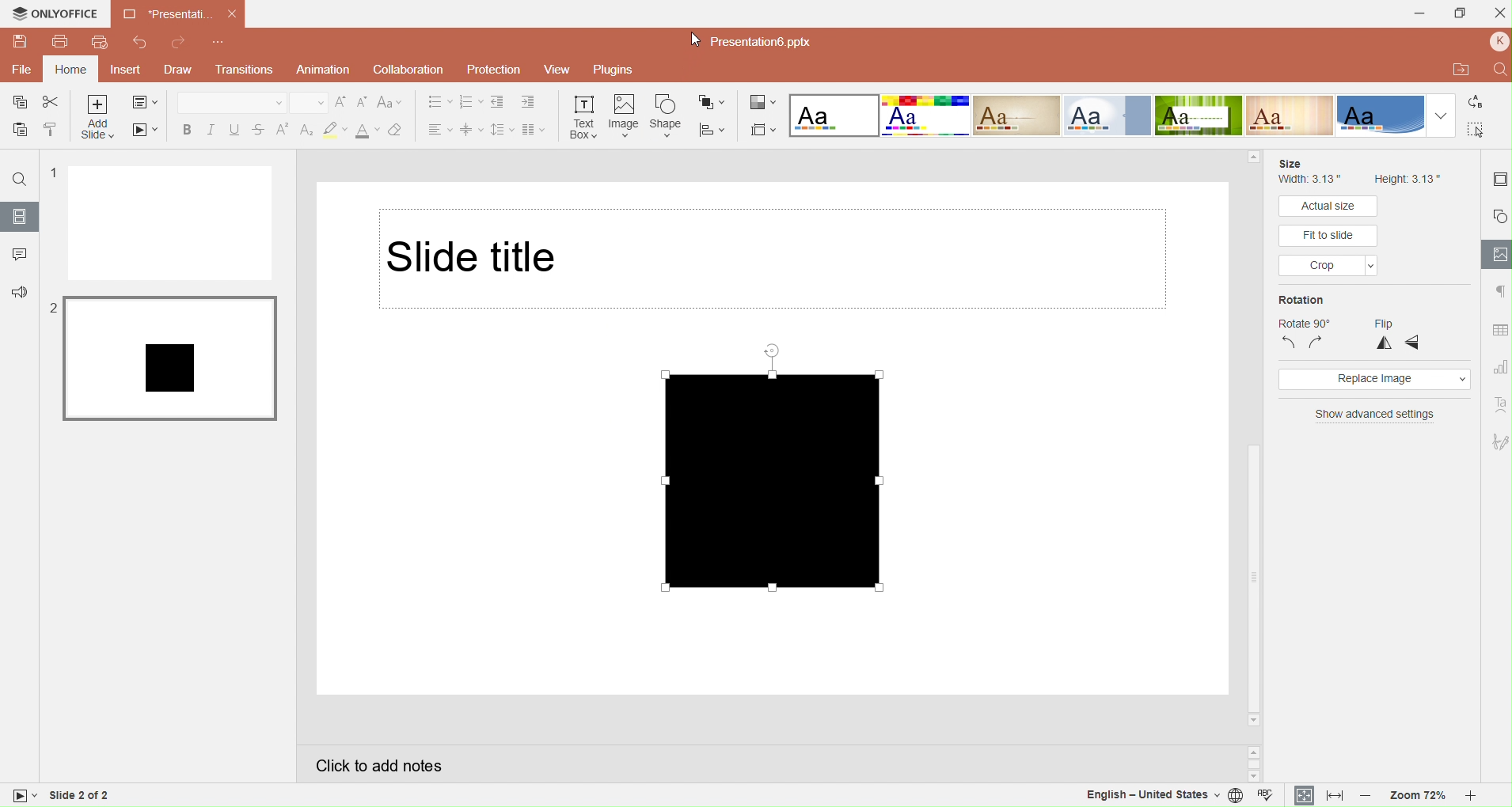 Image resolution: width=1512 pixels, height=807 pixels. I want to click on Insert image, so click(621, 116).